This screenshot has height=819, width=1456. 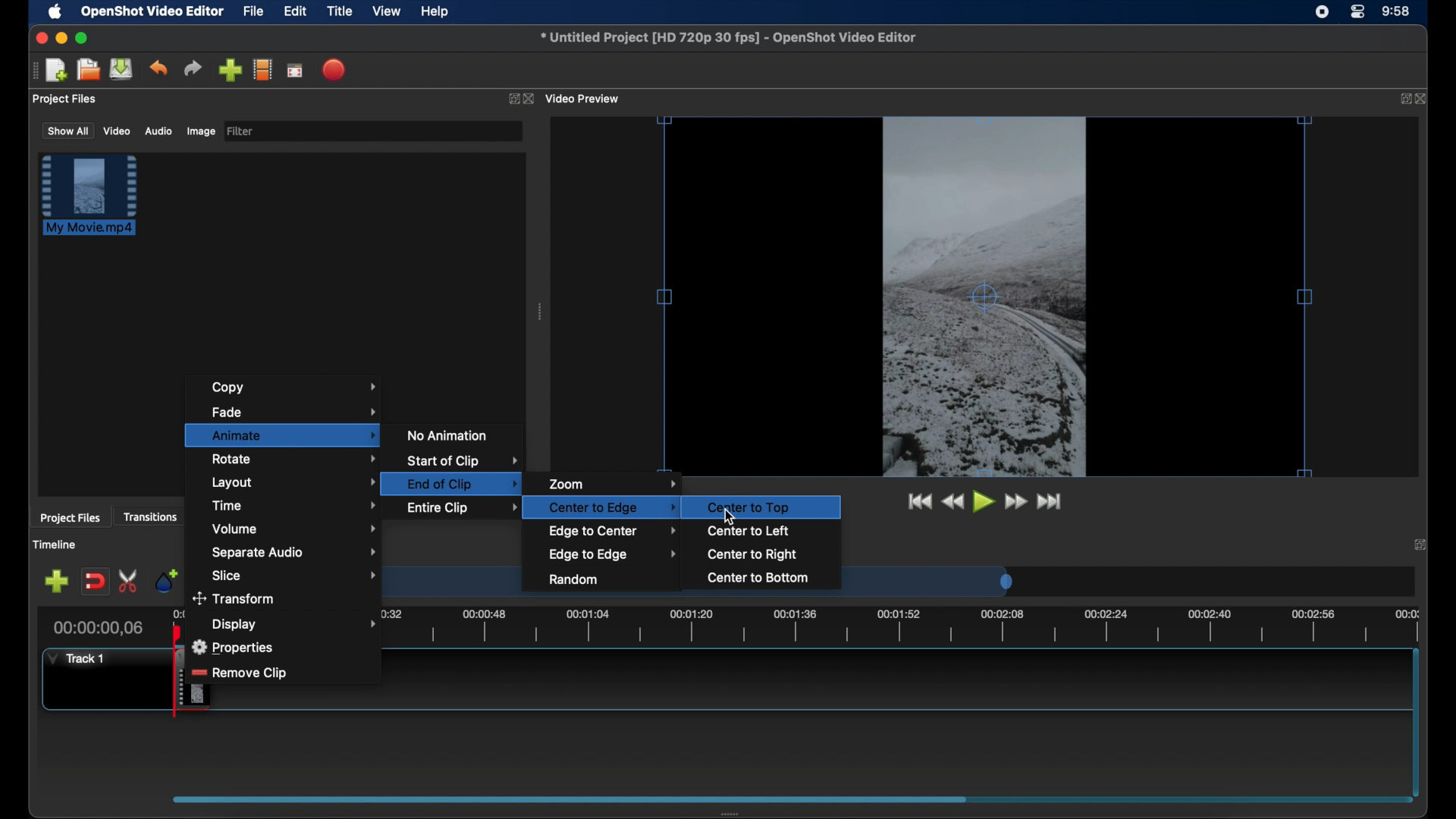 I want to click on 0.00, so click(x=180, y=615).